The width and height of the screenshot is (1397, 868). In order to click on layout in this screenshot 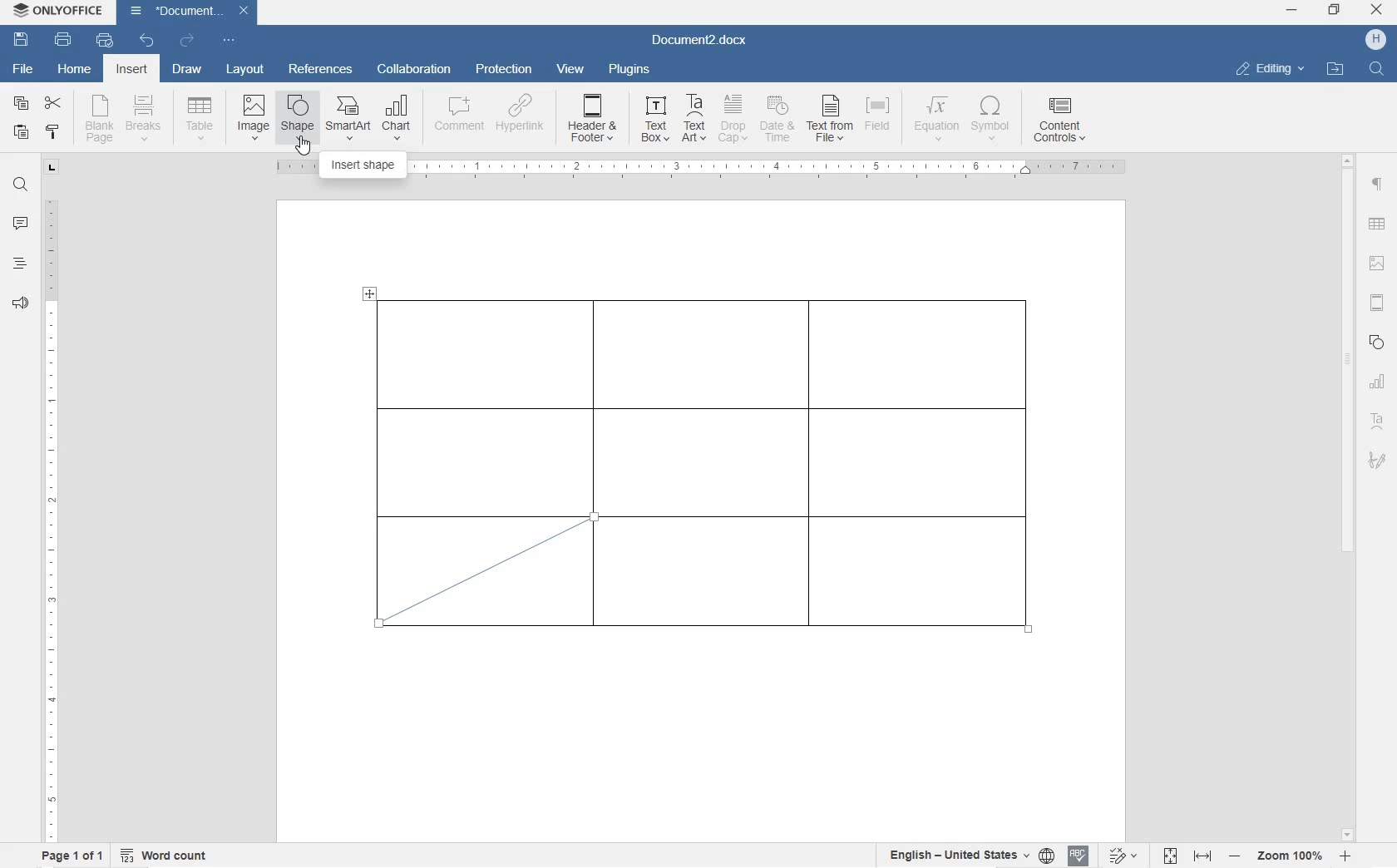, I will do `click(246, 70)`.